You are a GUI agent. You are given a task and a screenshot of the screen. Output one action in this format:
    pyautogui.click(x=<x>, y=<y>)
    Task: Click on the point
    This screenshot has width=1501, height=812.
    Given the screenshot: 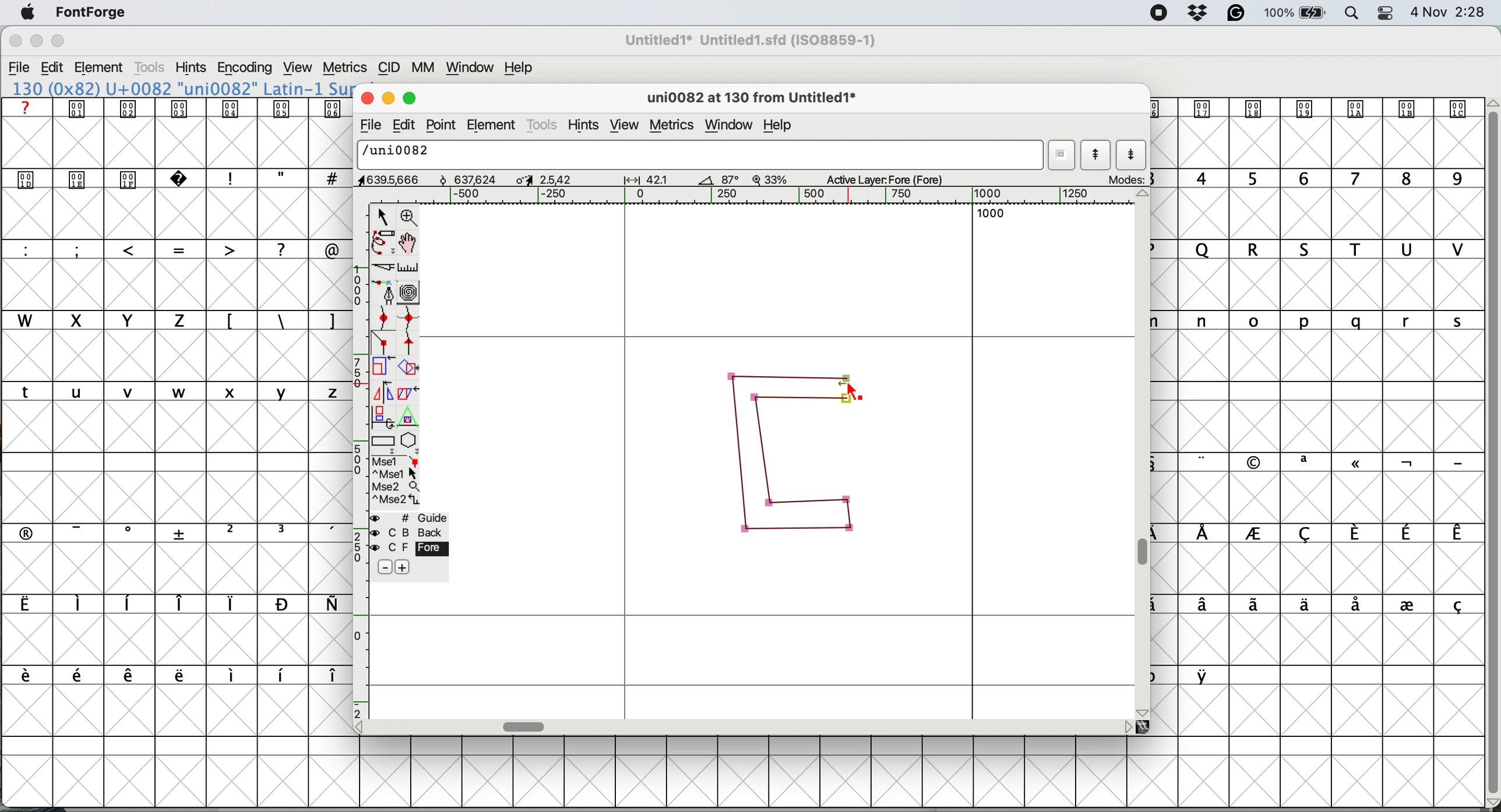 What is the action you would take?
    pyautogui.click(x=442, y=125)
    